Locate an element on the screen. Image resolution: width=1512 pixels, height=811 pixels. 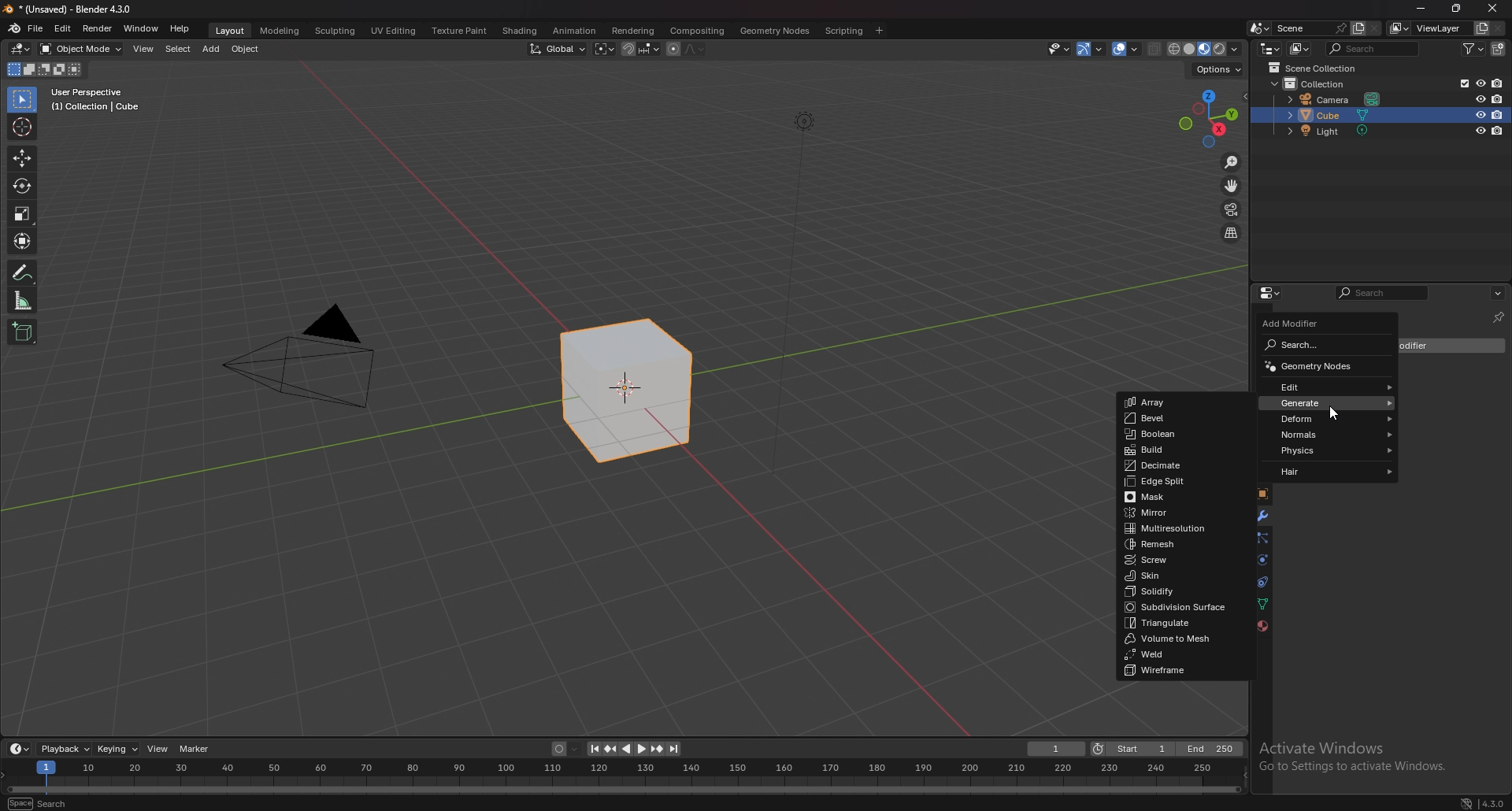
search is located at coordinates (1372, 49).